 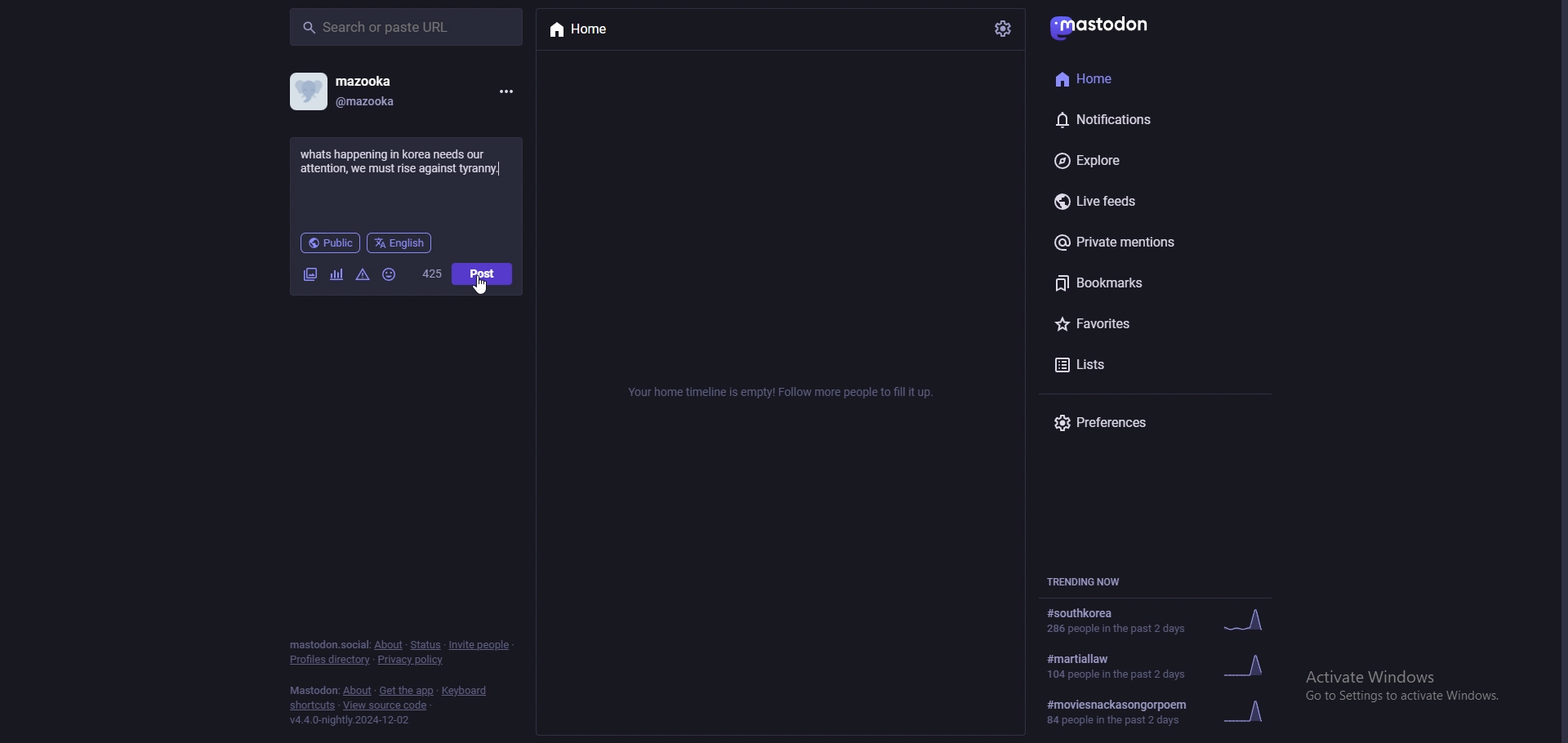 What do you see at coordinates (409, 660) in the screenshot?
I see `privacy policy` at bounding box center [409, 660].